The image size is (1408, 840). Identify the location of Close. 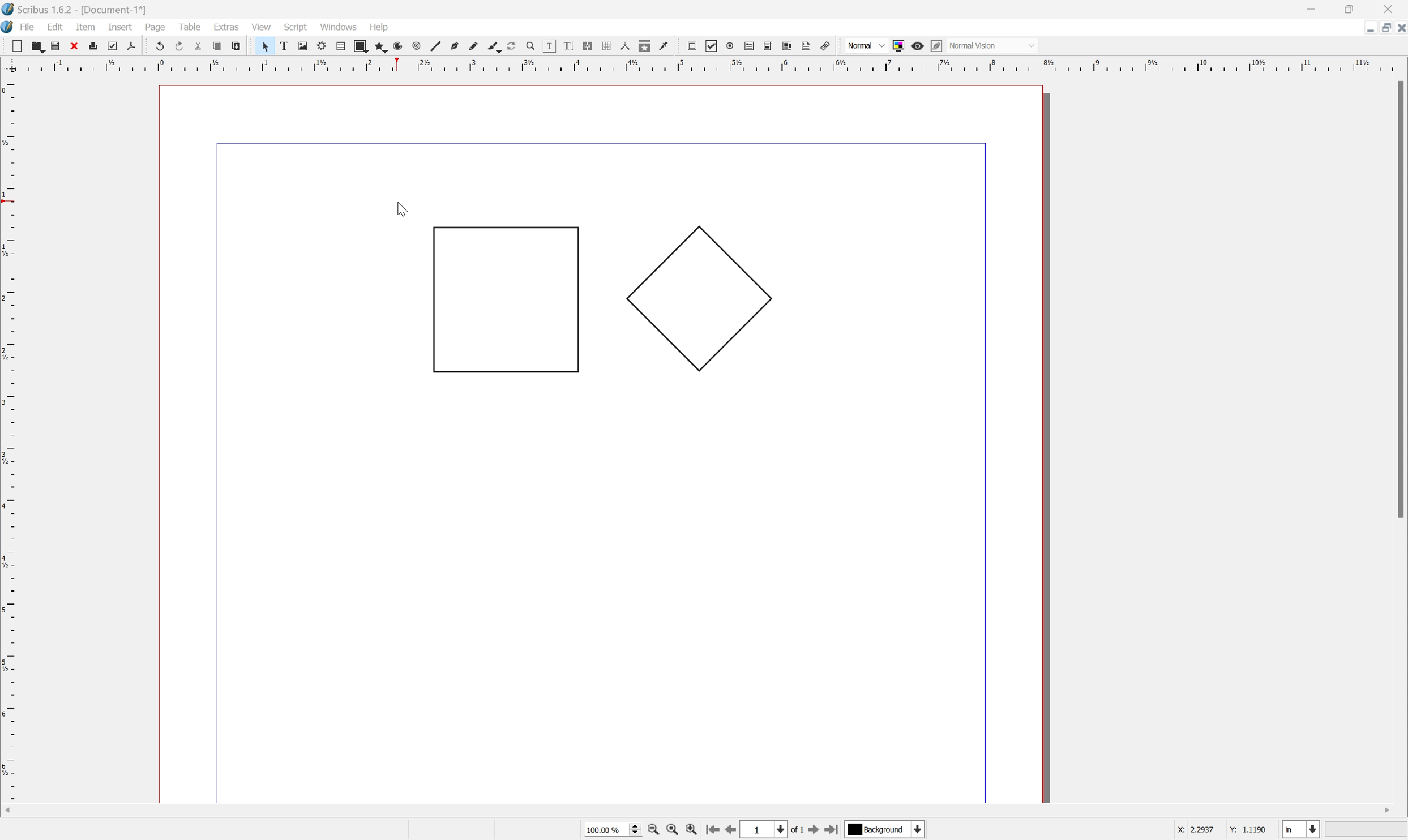
(1392, 8).